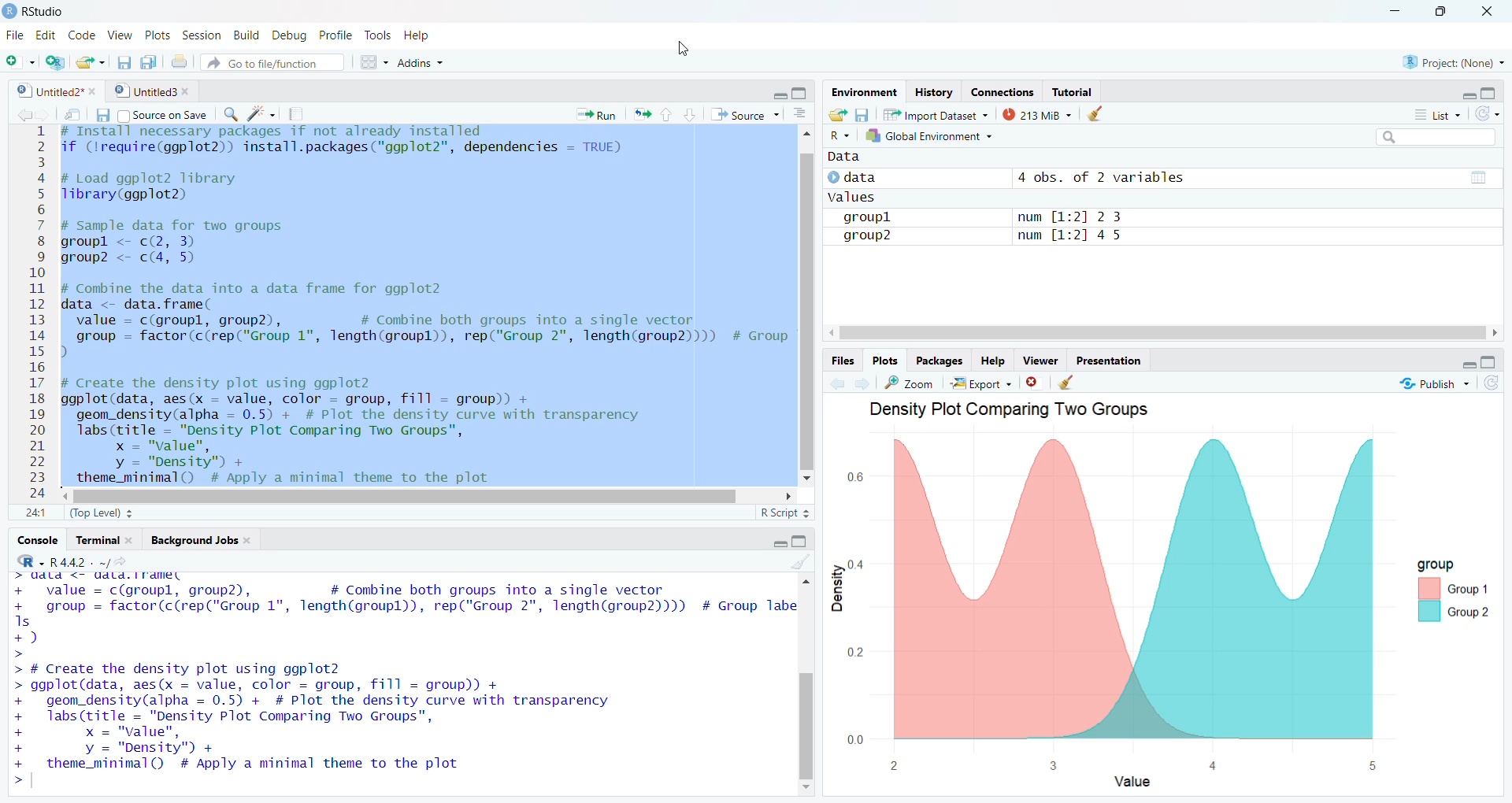 This screenshot has height=803, width=1512. Describe the element at coordinates (744, 115) in the screenshot. I see `source` at that location.